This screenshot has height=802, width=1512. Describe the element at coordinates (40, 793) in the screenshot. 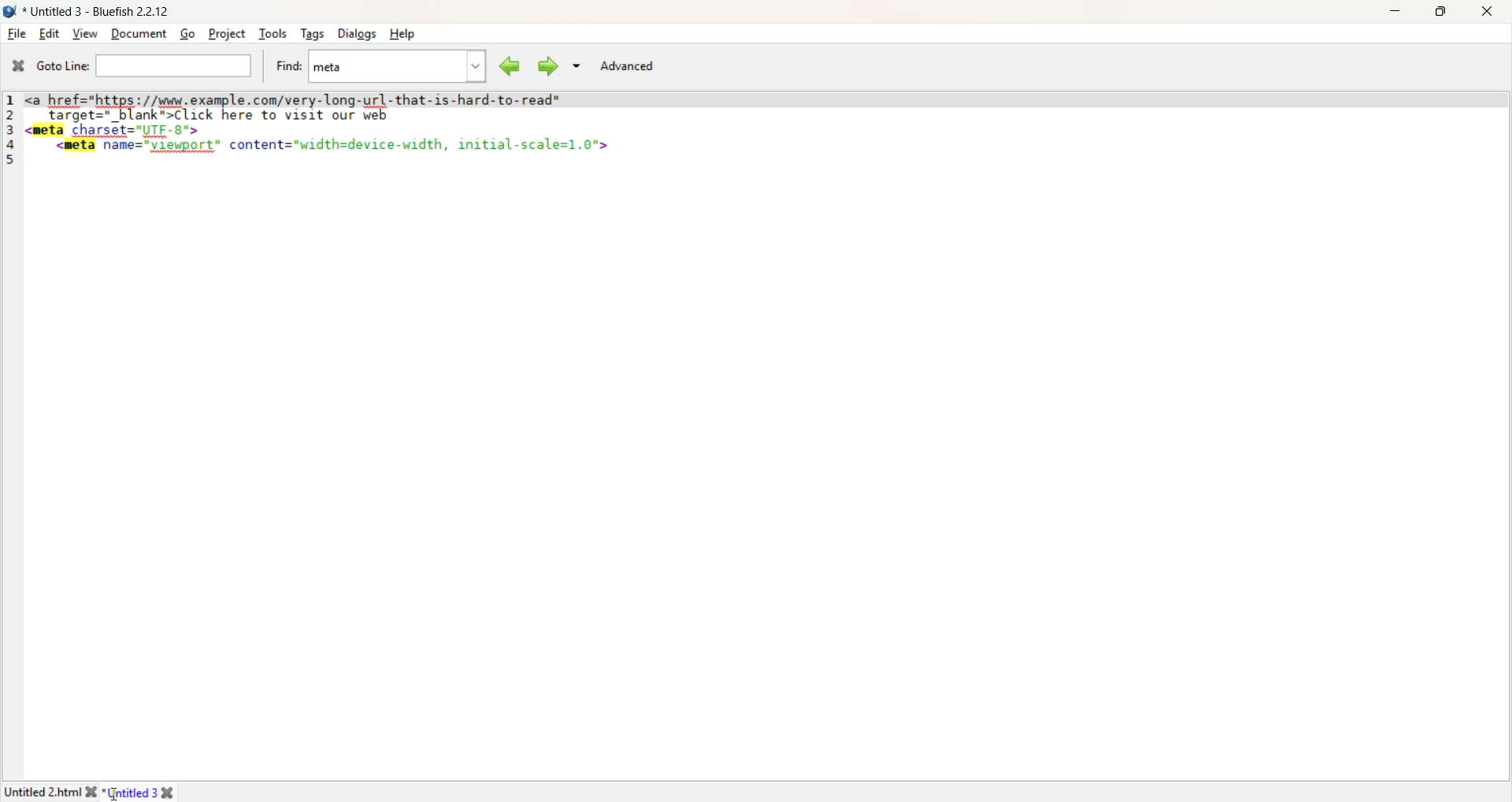

I see `Untitled 2.htm` at that location.